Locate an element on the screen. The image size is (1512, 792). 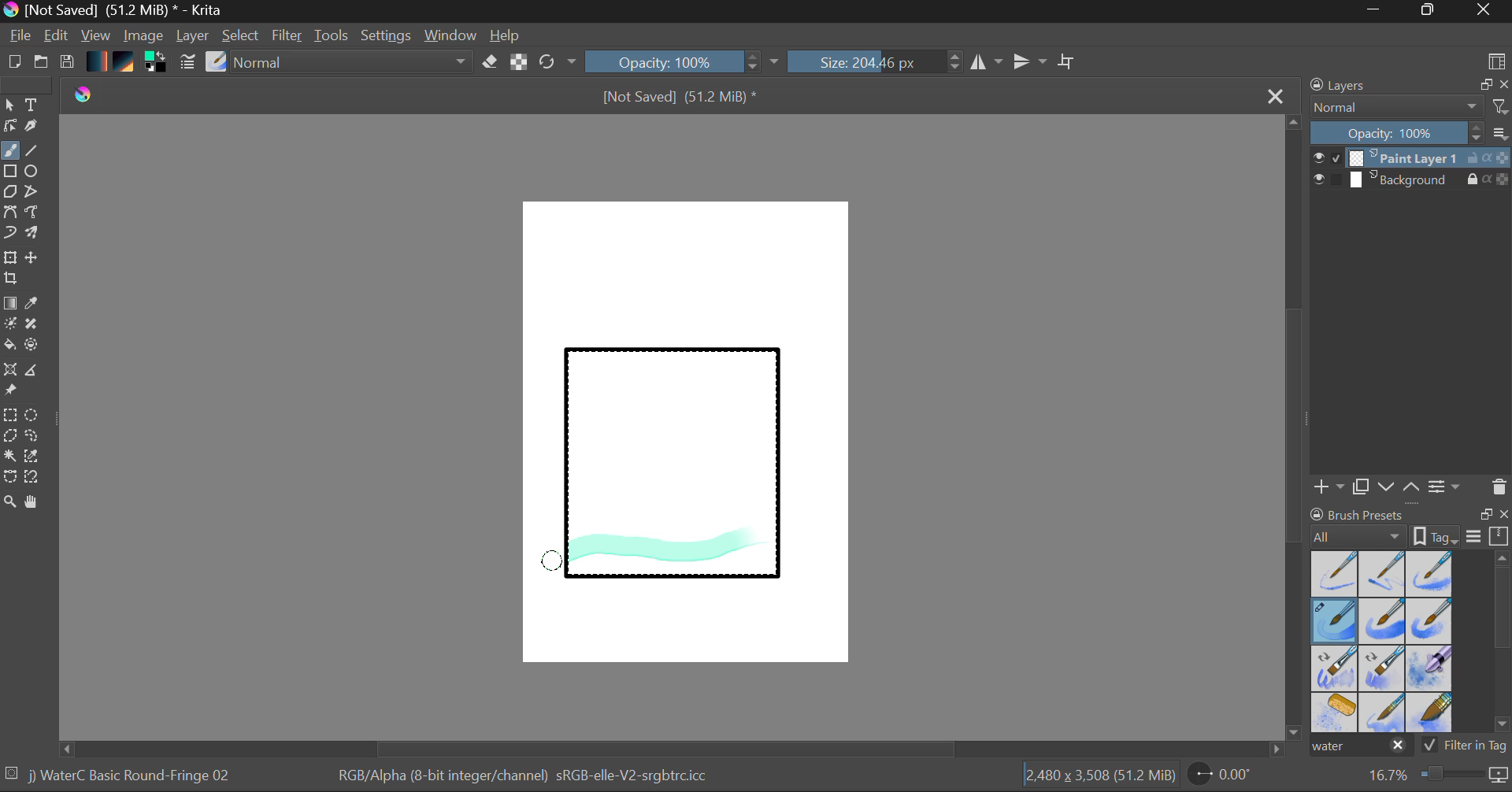
logo is located at coordinates (86, 95).